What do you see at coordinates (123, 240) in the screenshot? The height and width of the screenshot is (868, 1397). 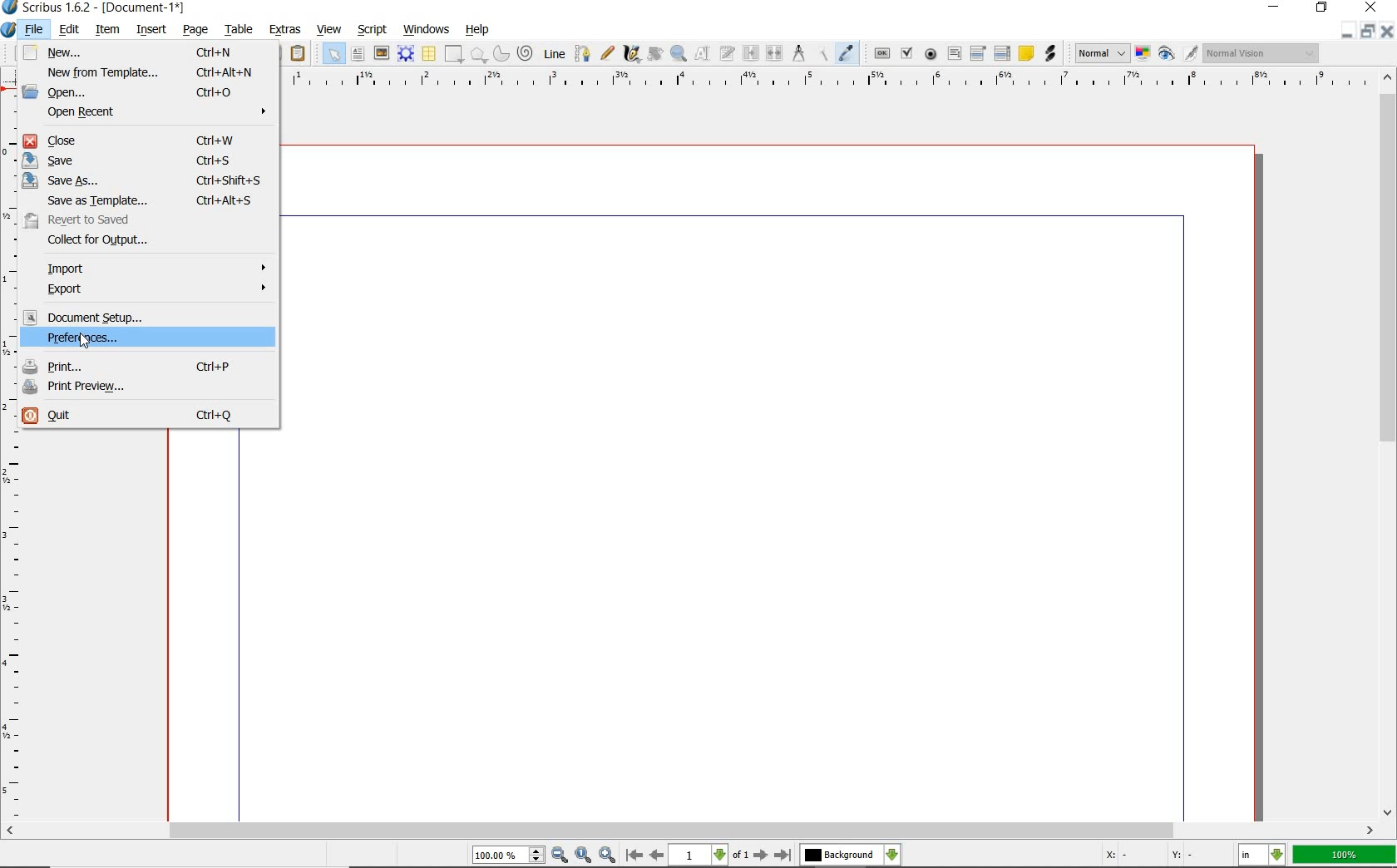 I see `collect for output` at bounding box center [123, 240].